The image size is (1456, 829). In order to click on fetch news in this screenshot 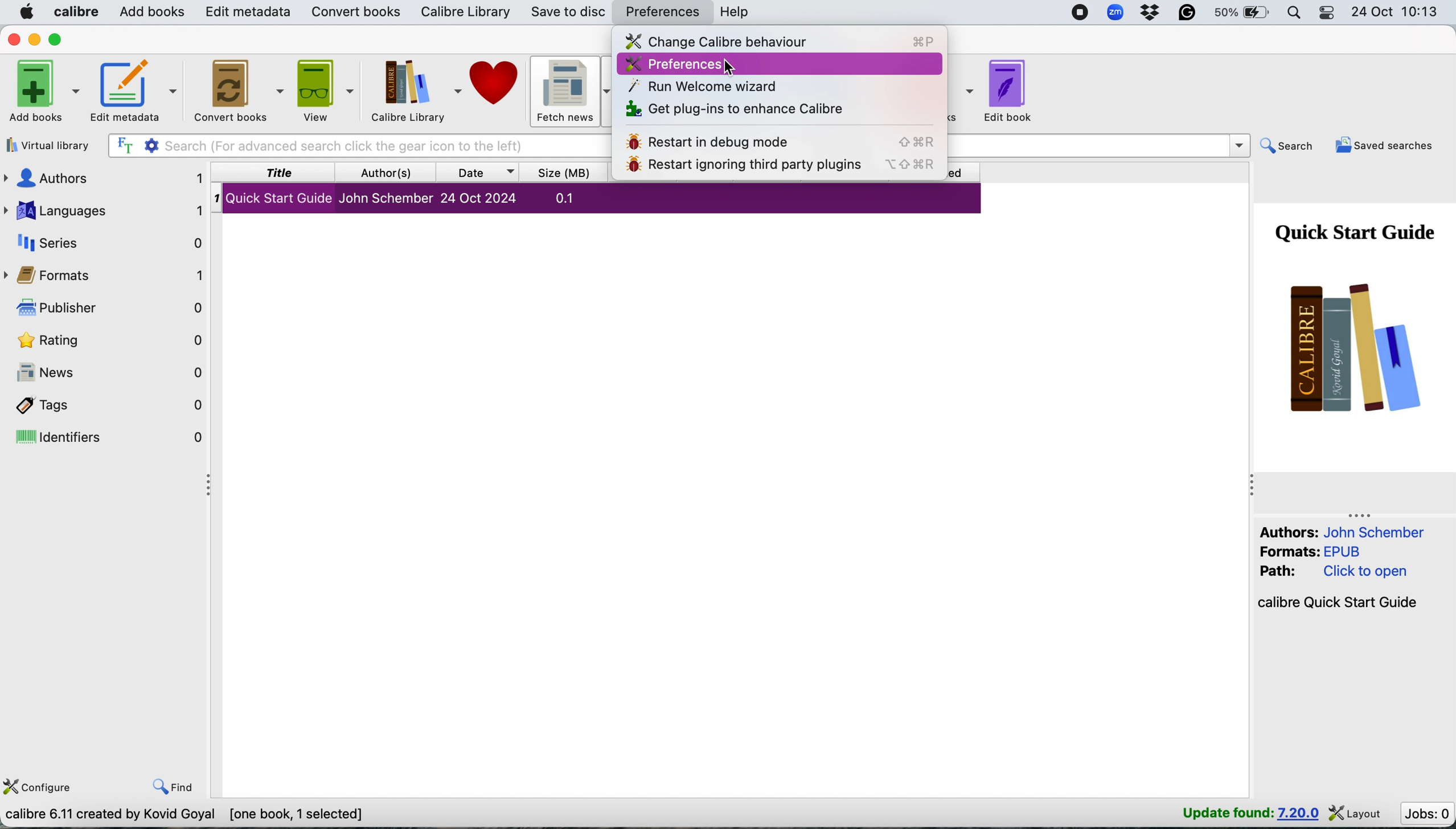, I will do `click(574, 93)`.